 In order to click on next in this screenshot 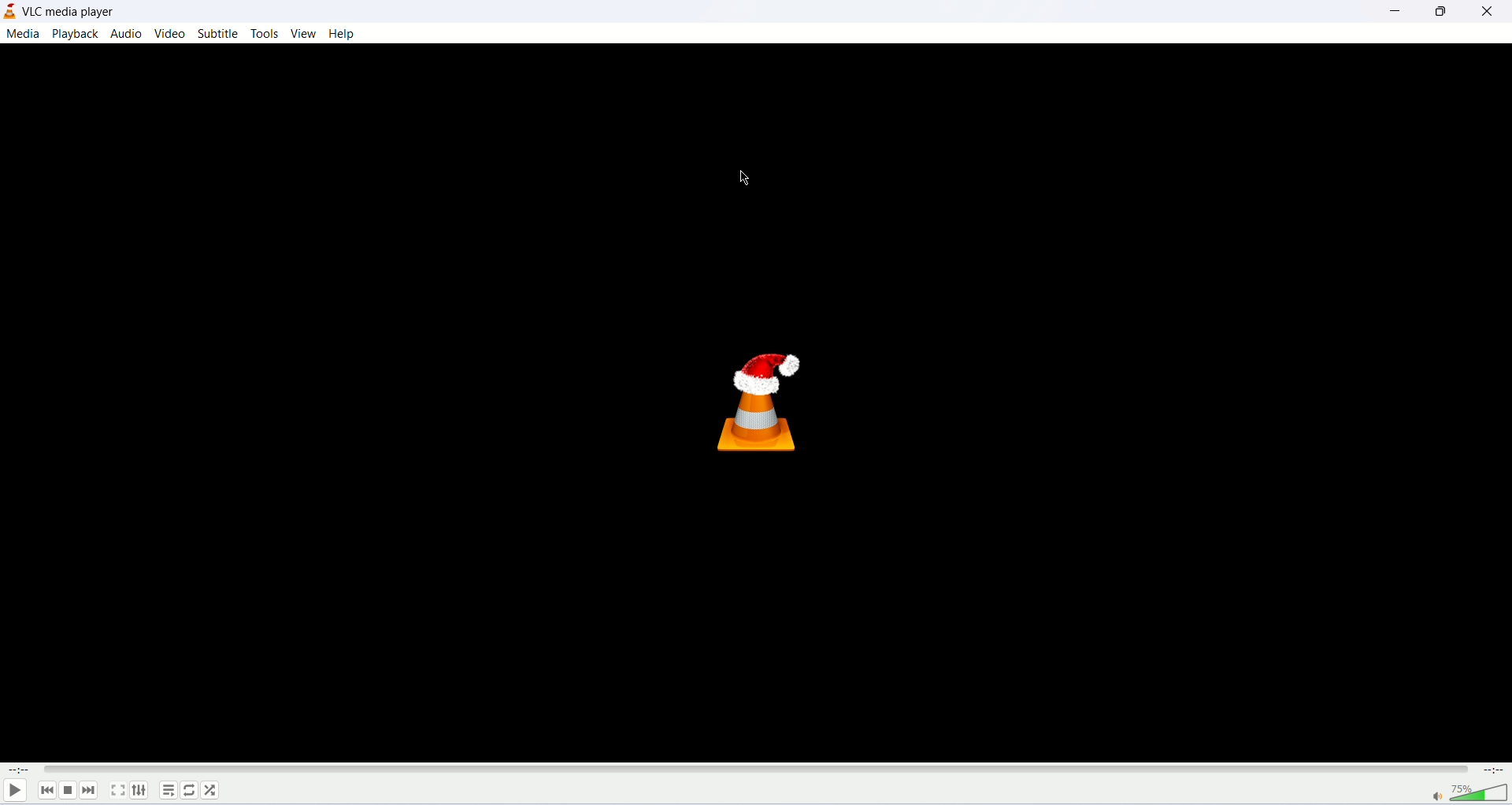, I will do `click(91, 793)`.